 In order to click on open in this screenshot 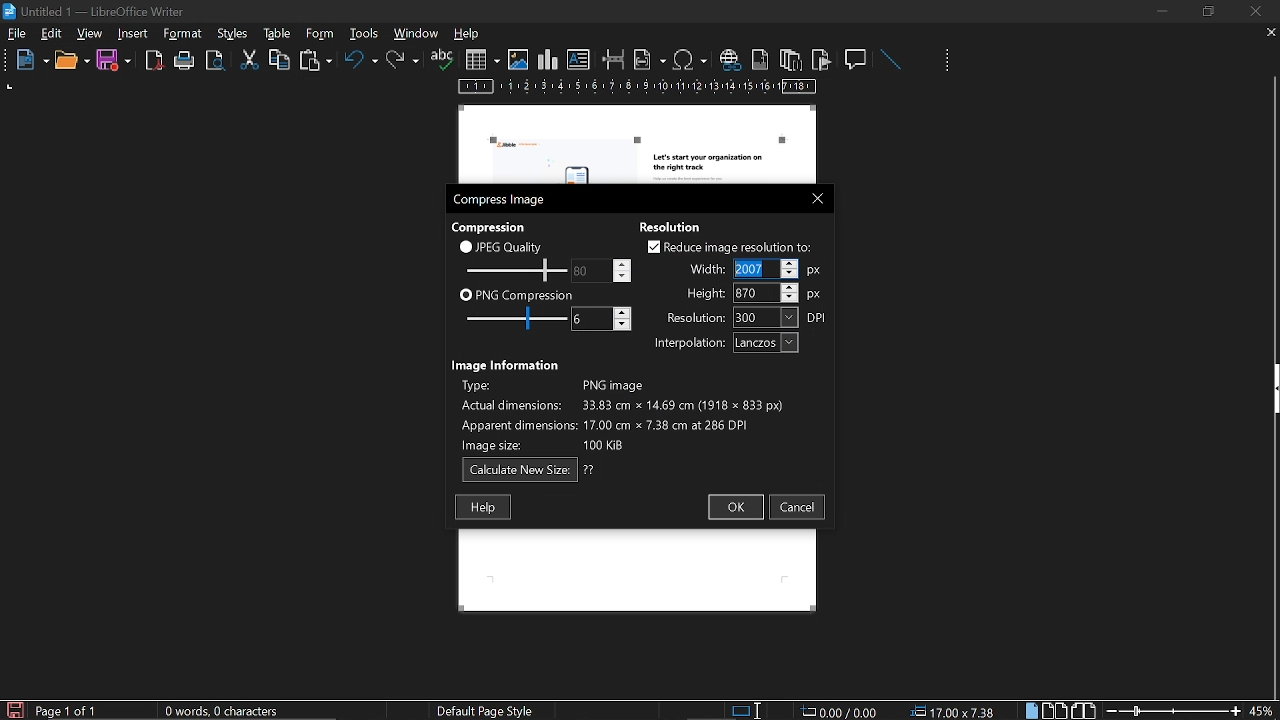, I will do `click(71, 61)`.